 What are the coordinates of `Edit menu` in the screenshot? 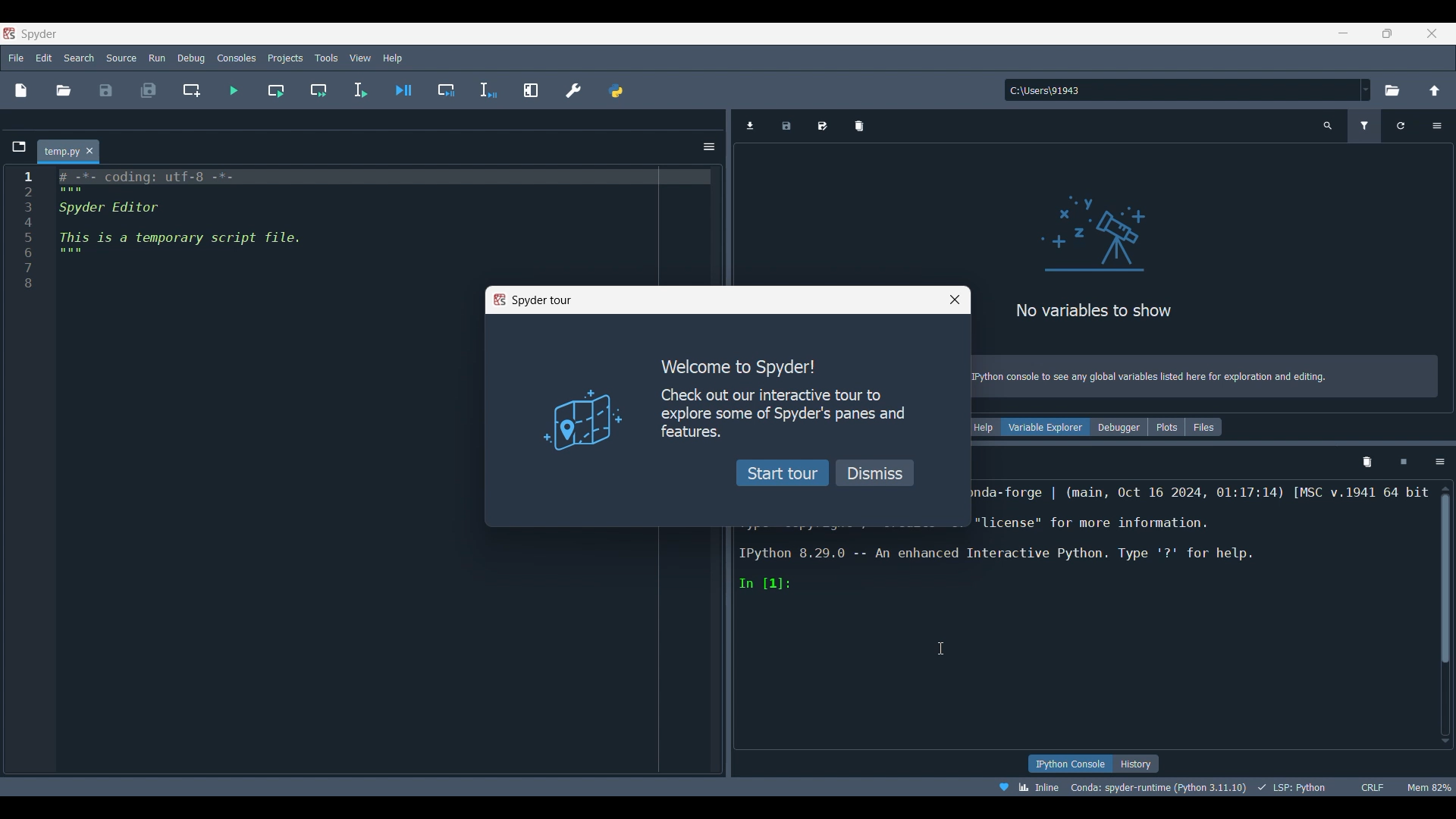 It's located at (44, 58).